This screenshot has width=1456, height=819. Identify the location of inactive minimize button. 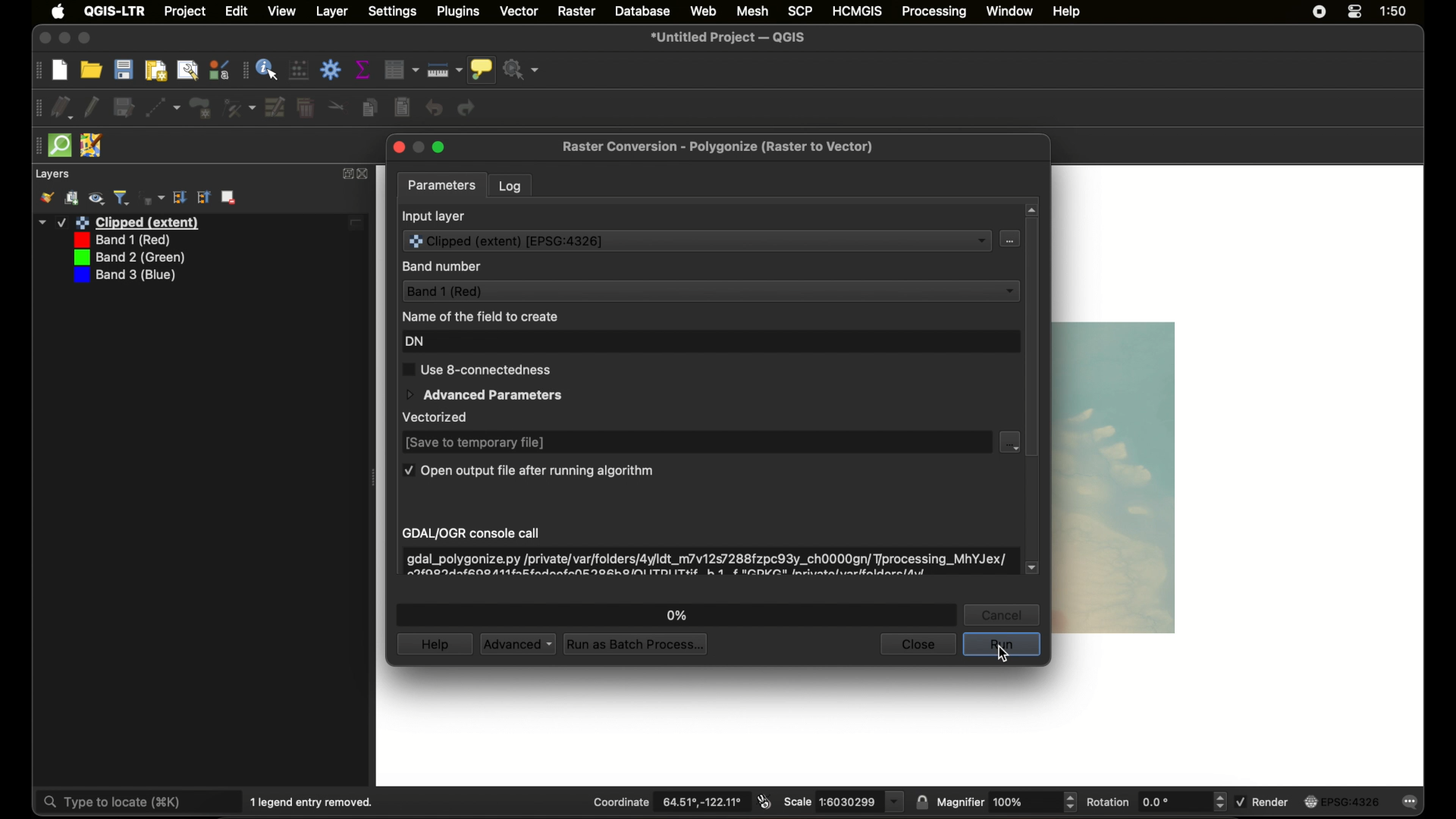
(419, 148).